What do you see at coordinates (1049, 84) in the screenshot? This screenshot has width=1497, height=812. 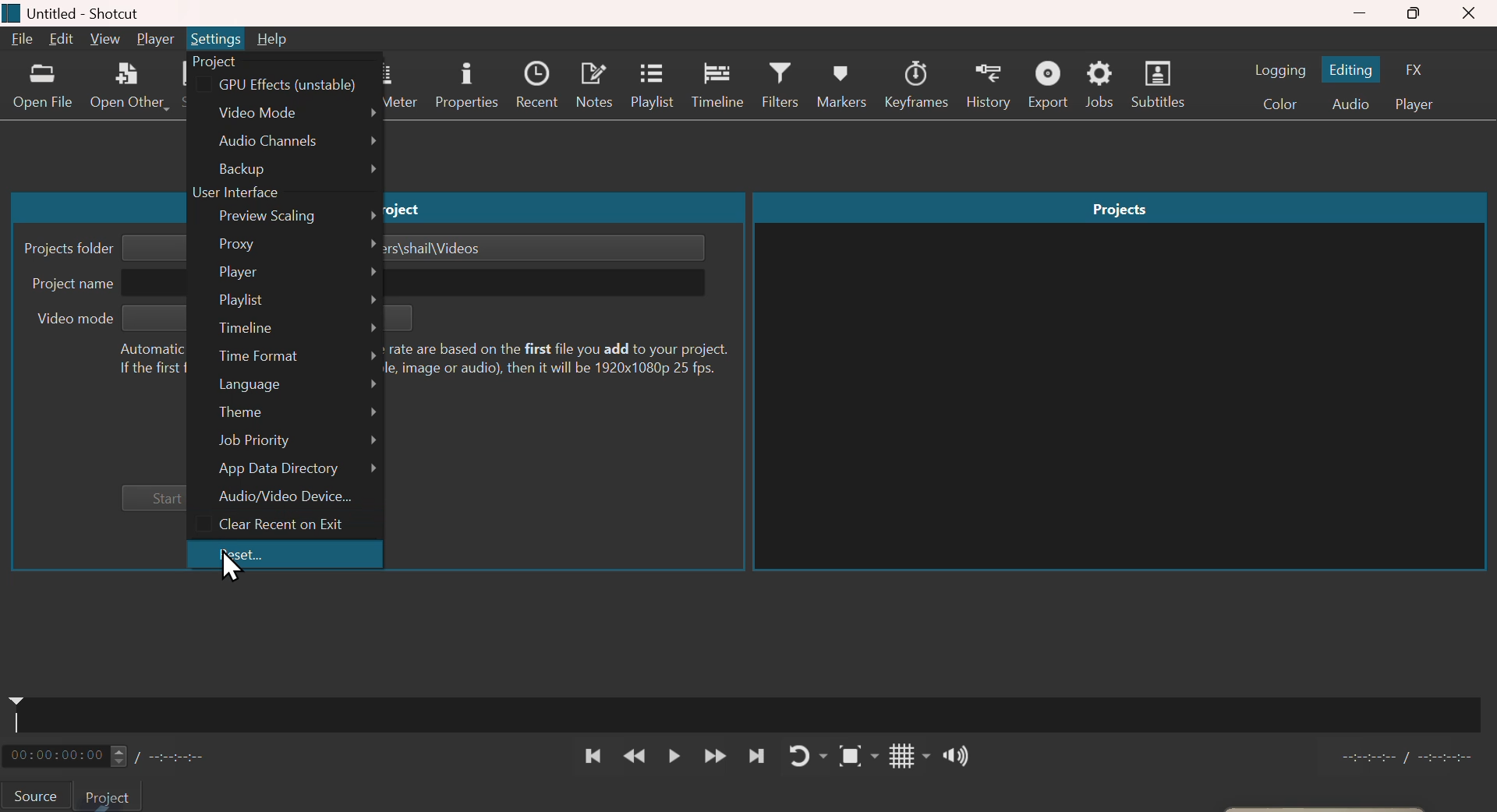 I see `Export` at bounding box center [1049, 84].